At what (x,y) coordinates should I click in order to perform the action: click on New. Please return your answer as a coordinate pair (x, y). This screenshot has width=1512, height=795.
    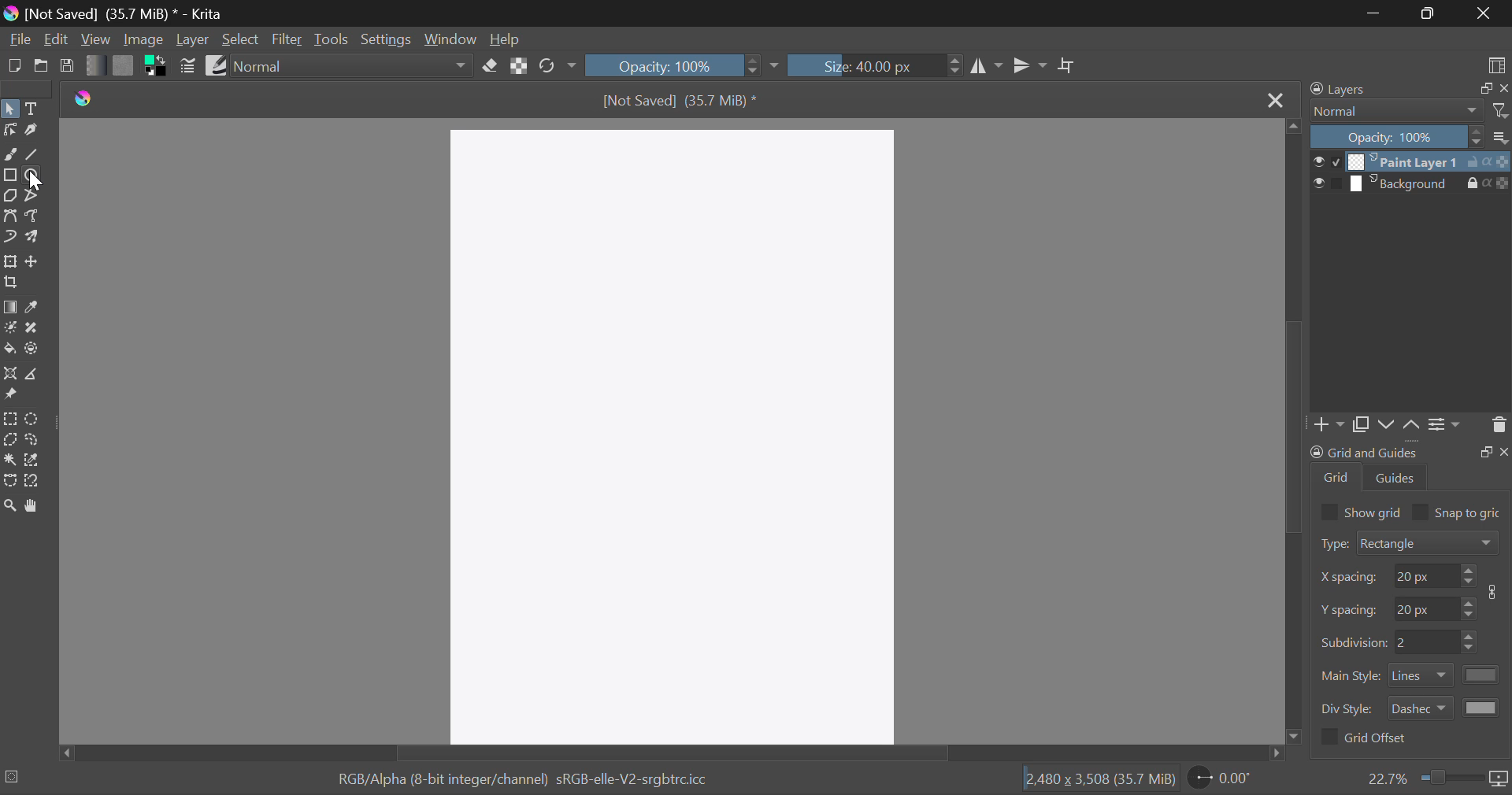
    Looking at the image, I should click on (14, 66).